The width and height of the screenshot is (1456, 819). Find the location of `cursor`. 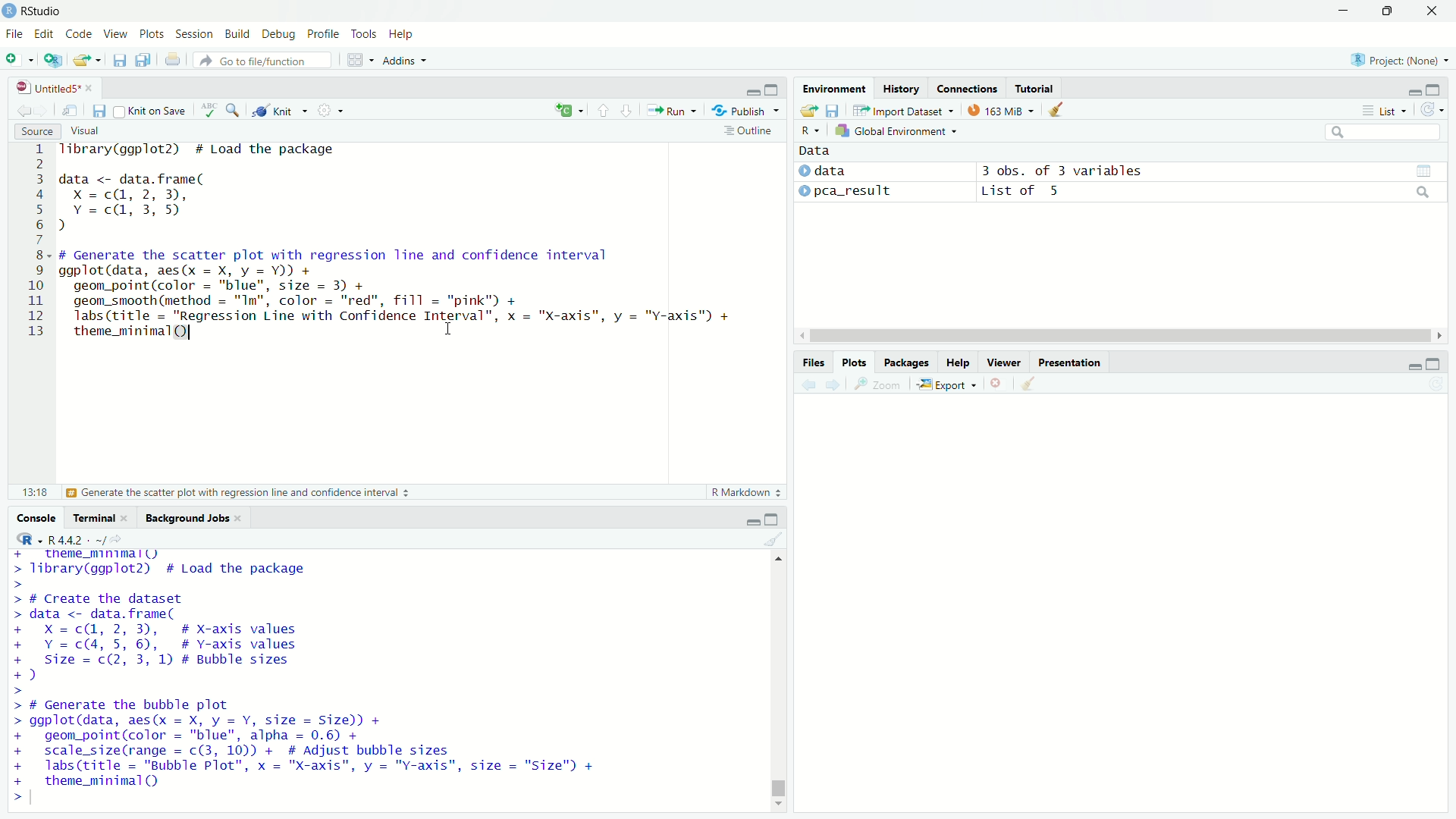

cursor is located at coordinates (449, 328).